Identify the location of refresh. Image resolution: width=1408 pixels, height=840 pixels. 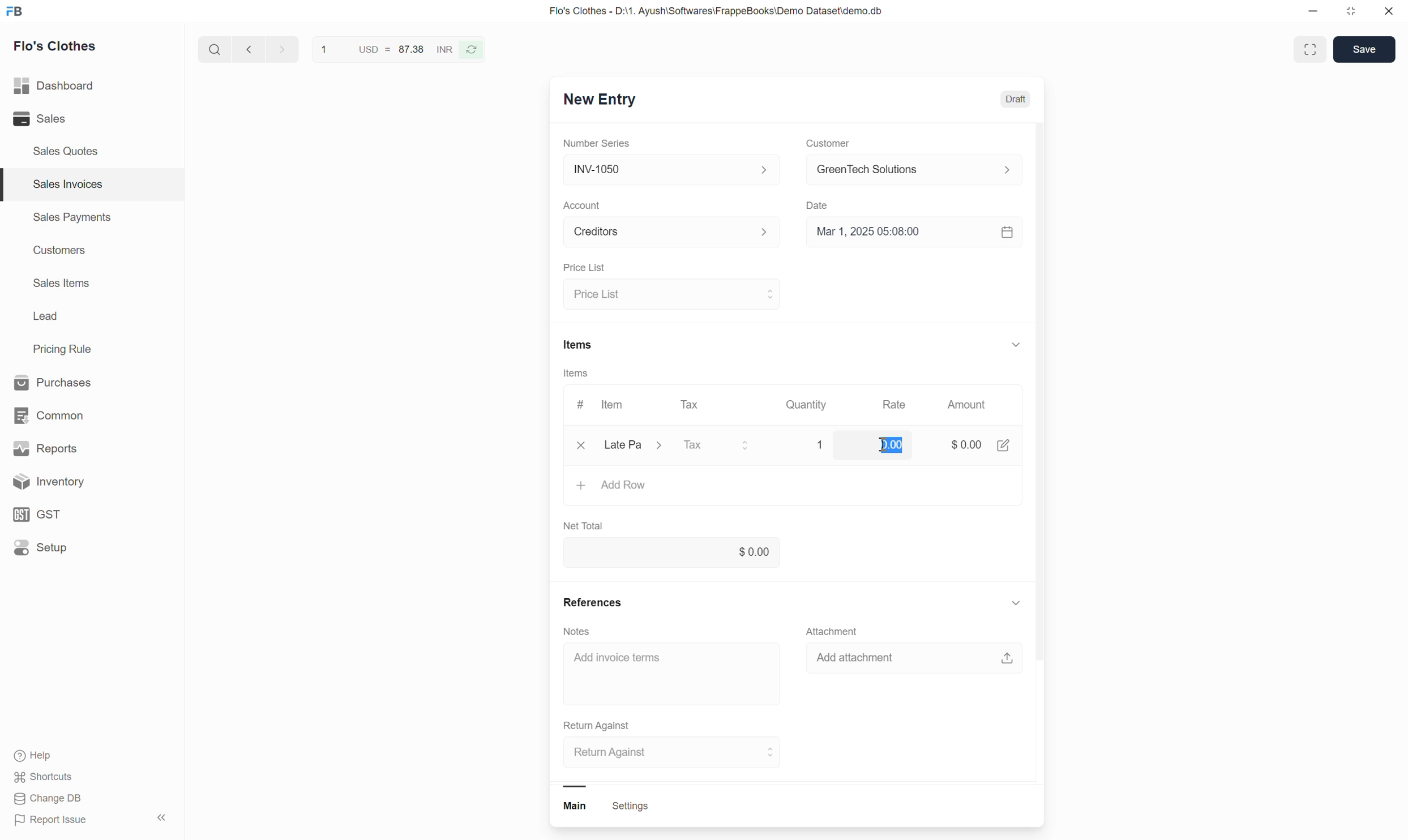
(475, 53).